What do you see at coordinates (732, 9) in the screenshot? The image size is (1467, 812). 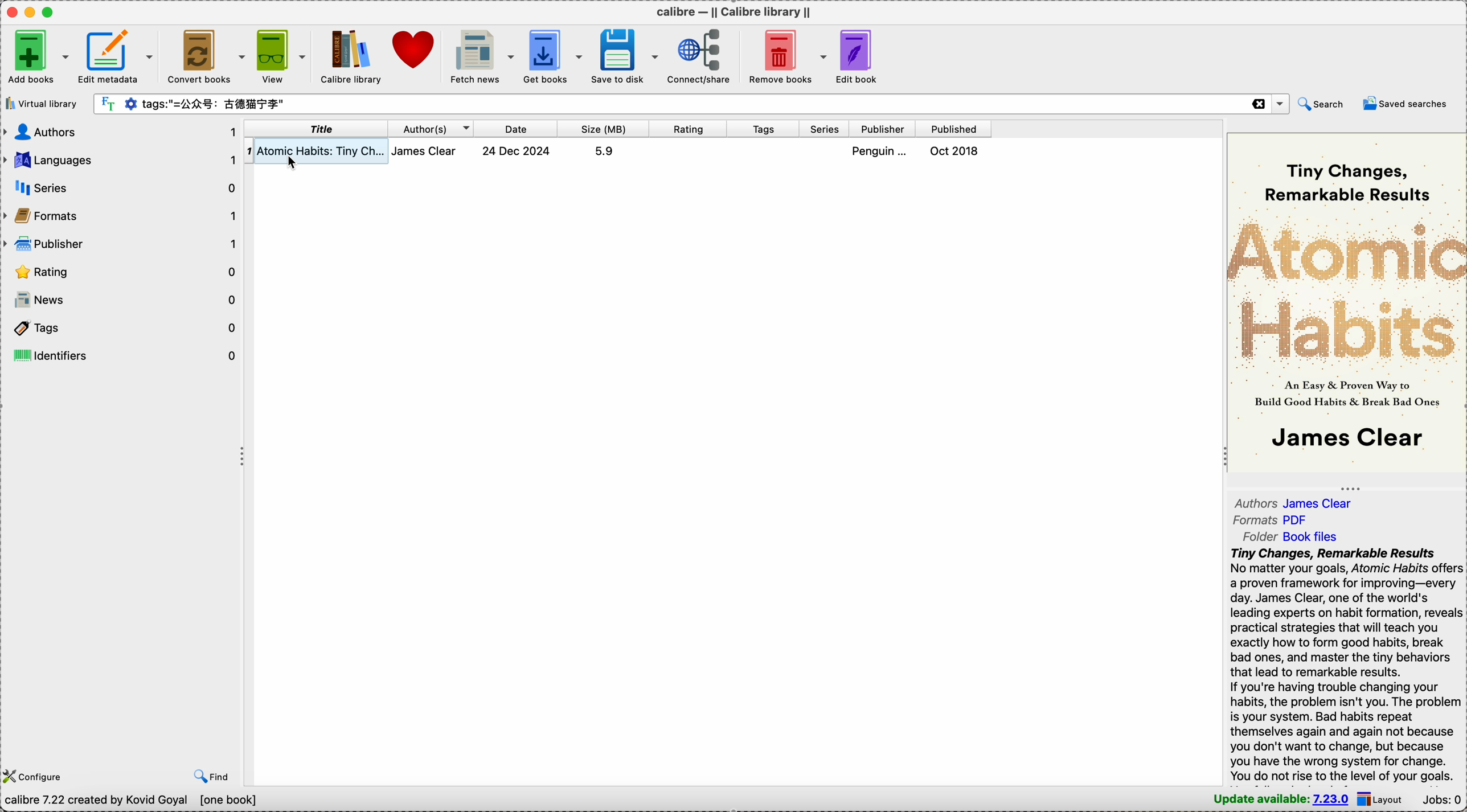 I see `Calibre` at bounding box center [732, 9].